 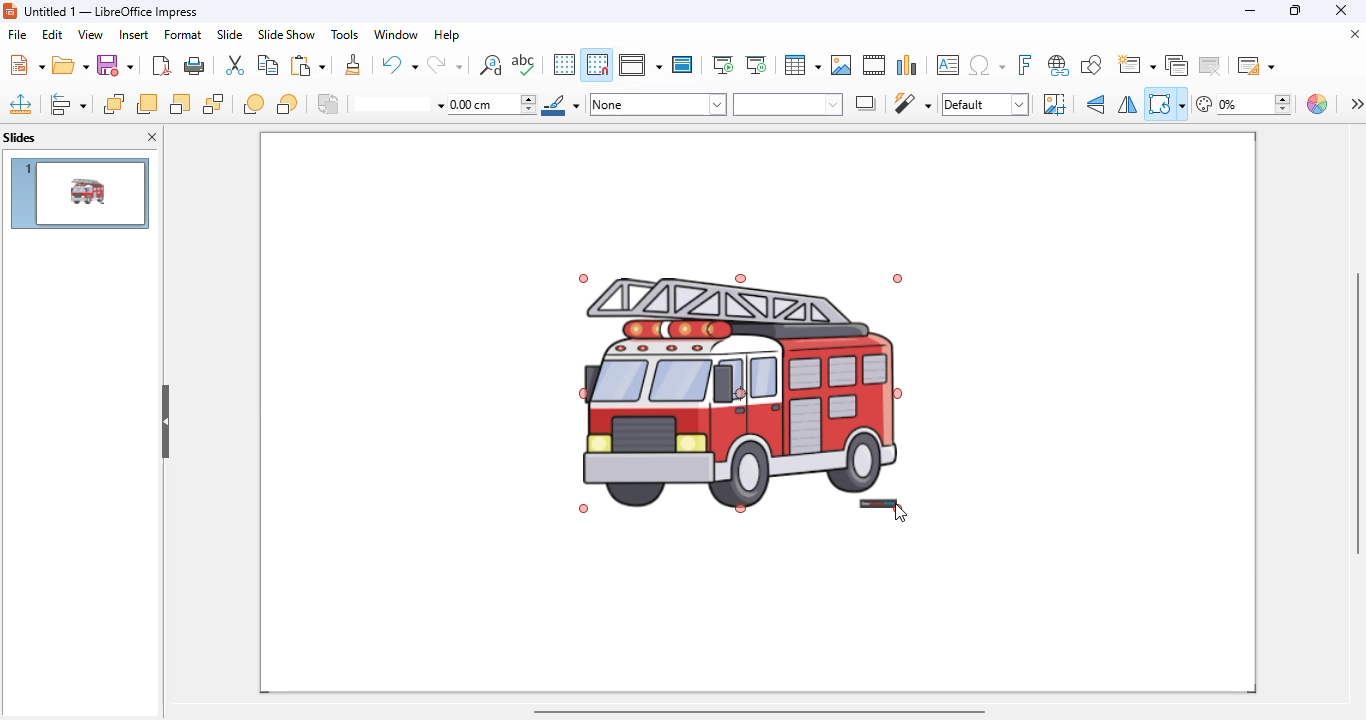 I want to click on save, so click(x=116, y=65).